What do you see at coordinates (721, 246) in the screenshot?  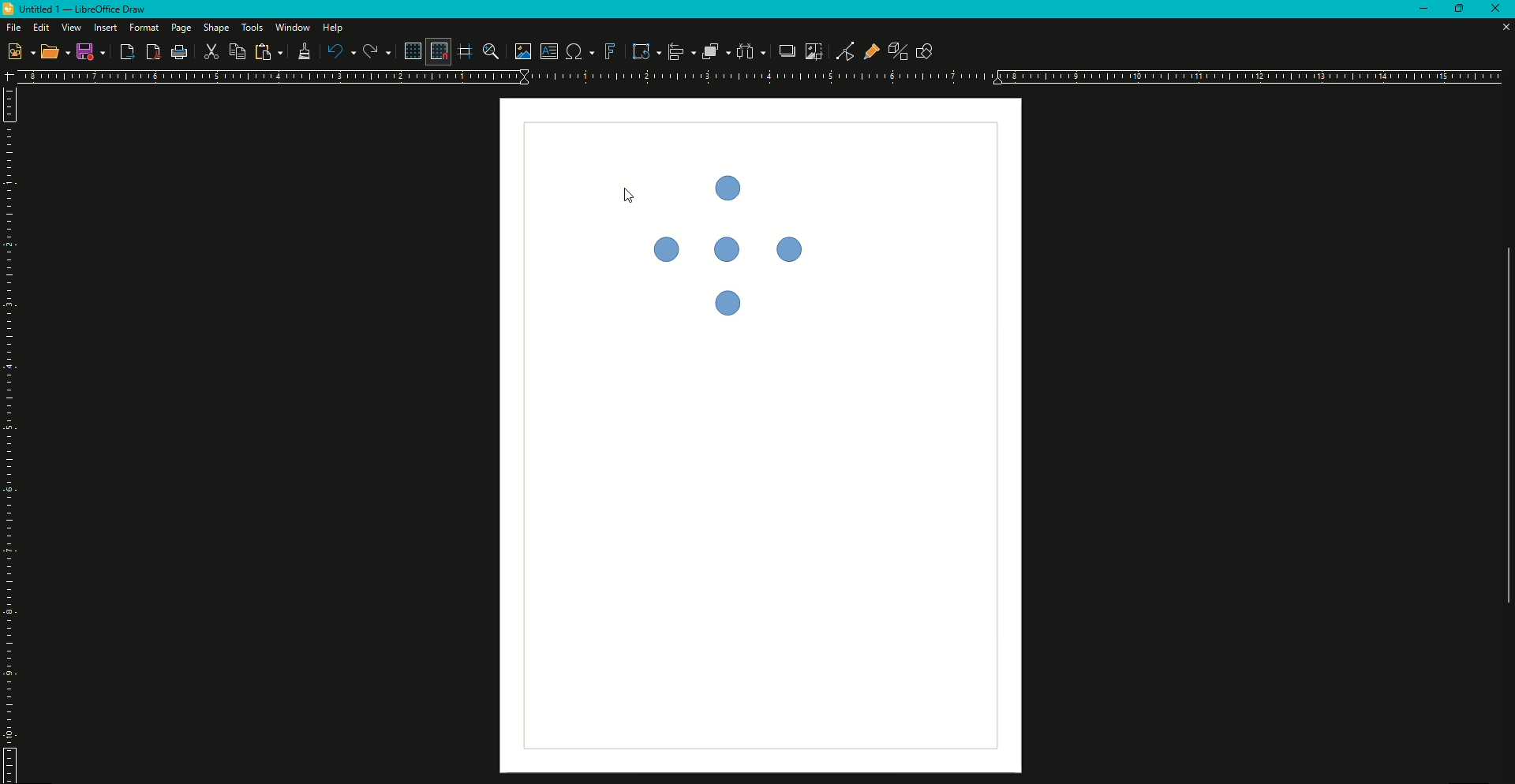 I see `Dots` at bounding box center [721, 246].